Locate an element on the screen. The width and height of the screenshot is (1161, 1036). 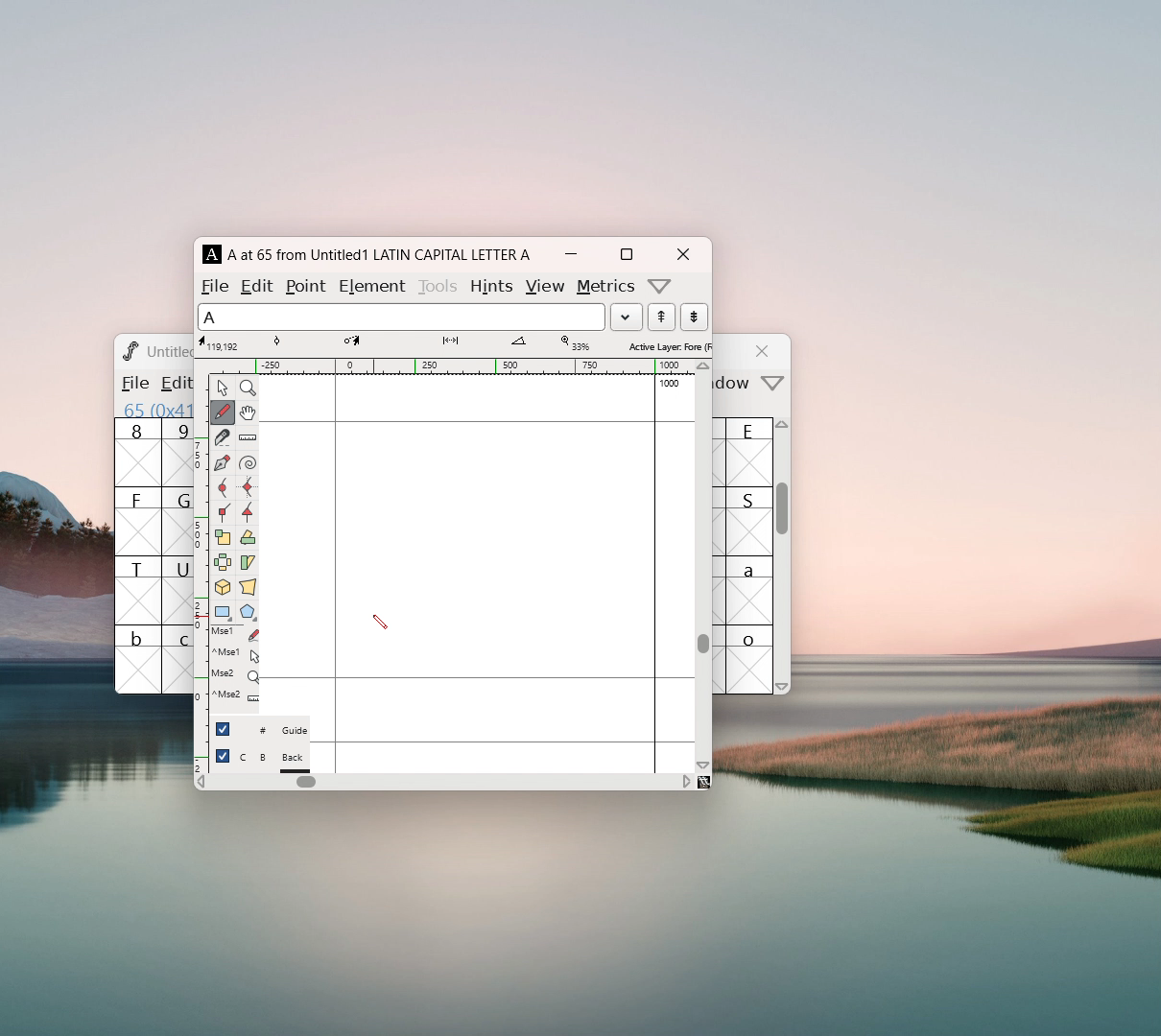
F is located at coordinates (138, 521).